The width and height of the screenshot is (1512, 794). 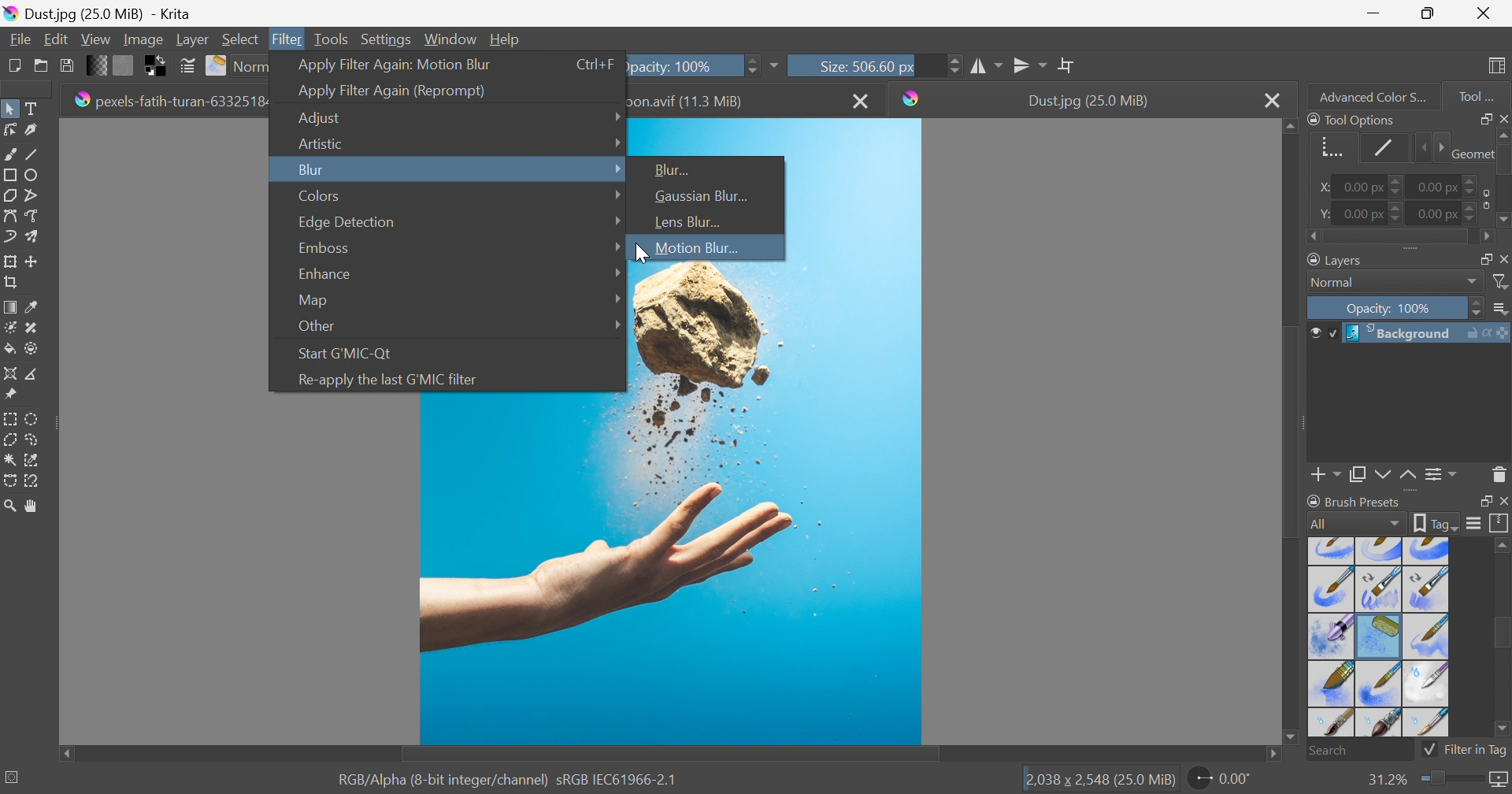 What do you see at coordinates (347, 222) in the screenshot?
I see `Edge Detection` at bounding box center [347, 222].